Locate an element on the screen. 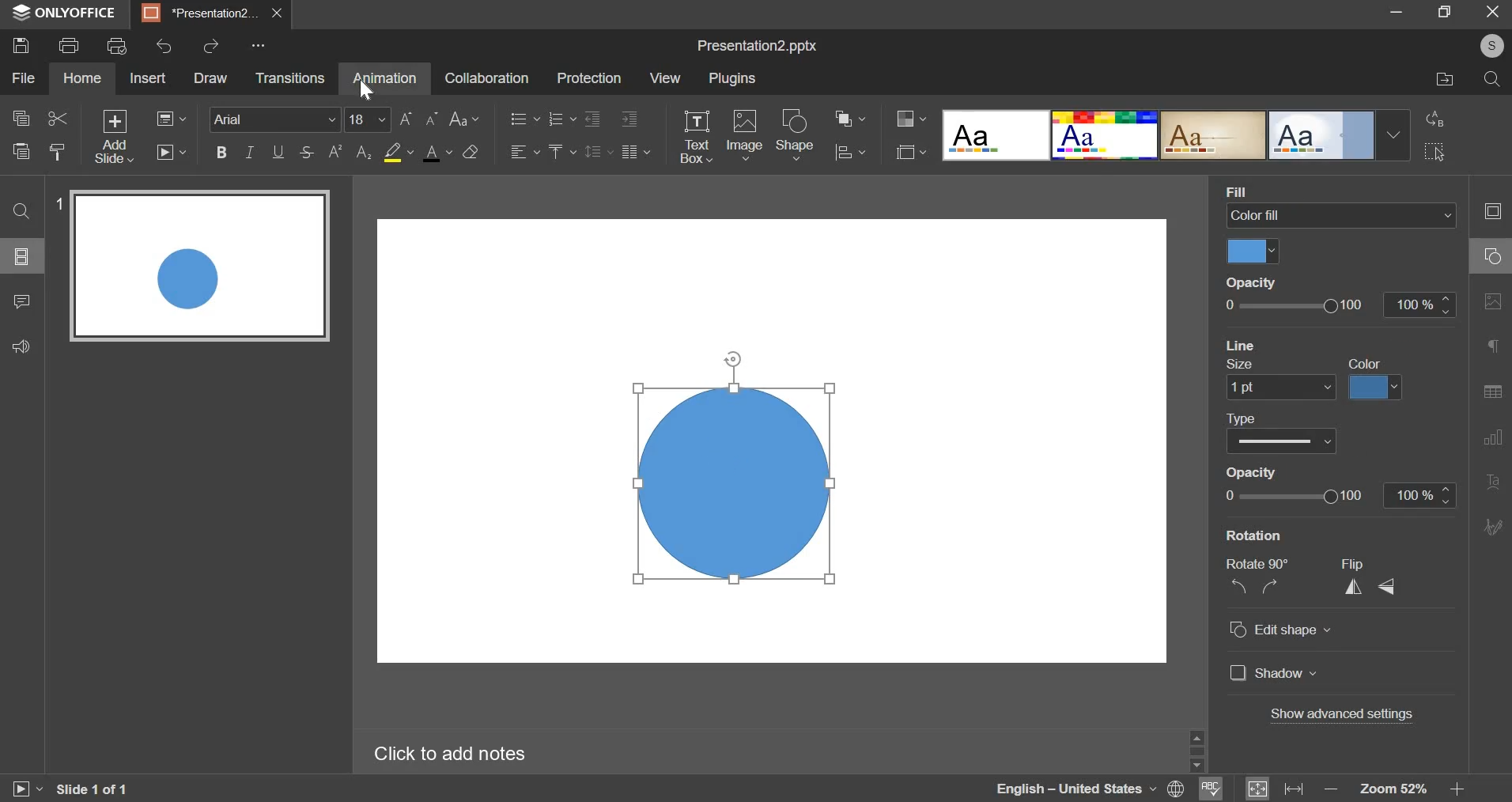 The image size is (1512, 802). bullets is located at coordinates (524, 118).